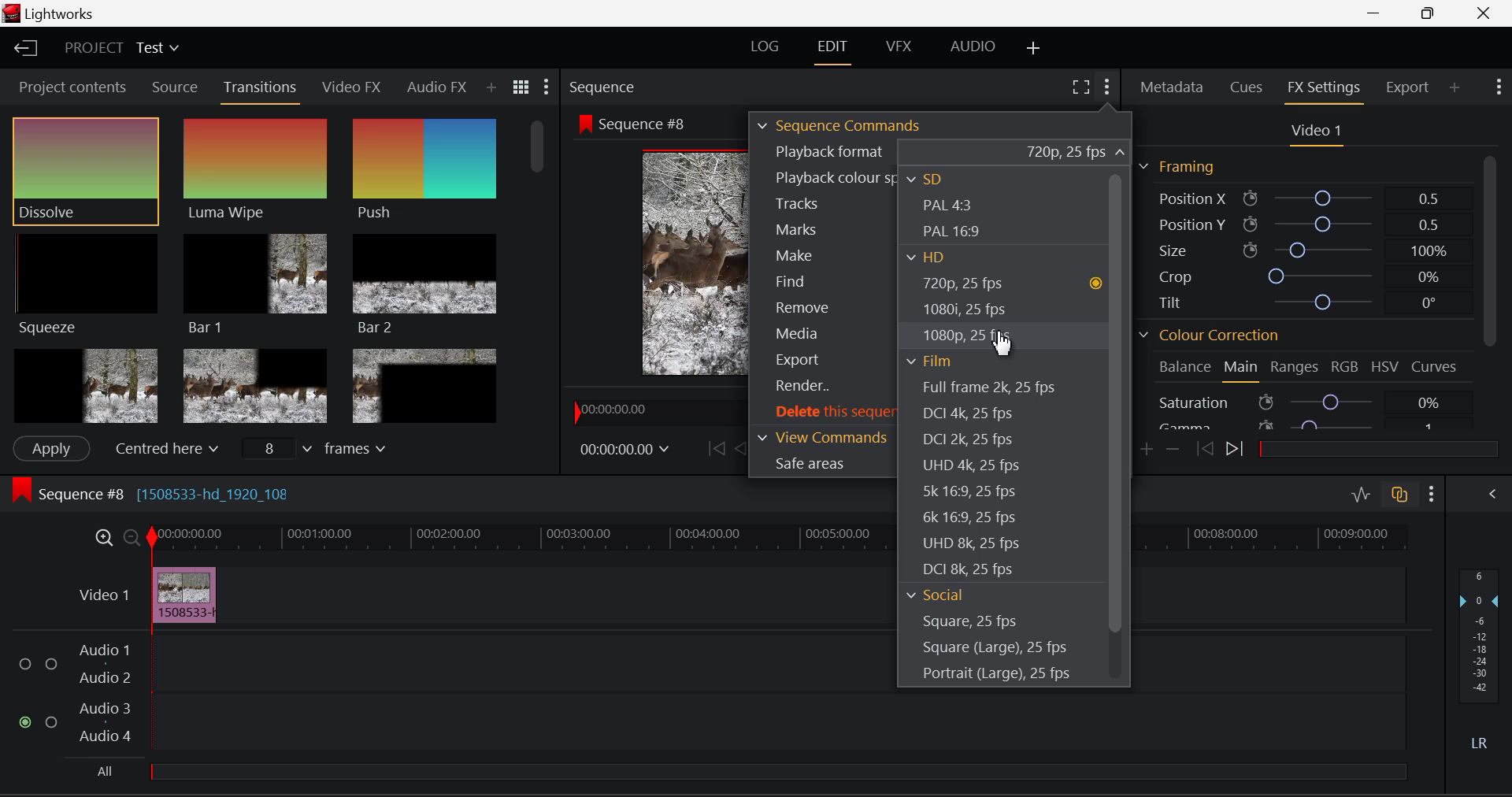 This screenshot has height=797, width=1512. Describe the element at coordinates (1303, 402) in the screenshot. I see `Saturation` at that location.